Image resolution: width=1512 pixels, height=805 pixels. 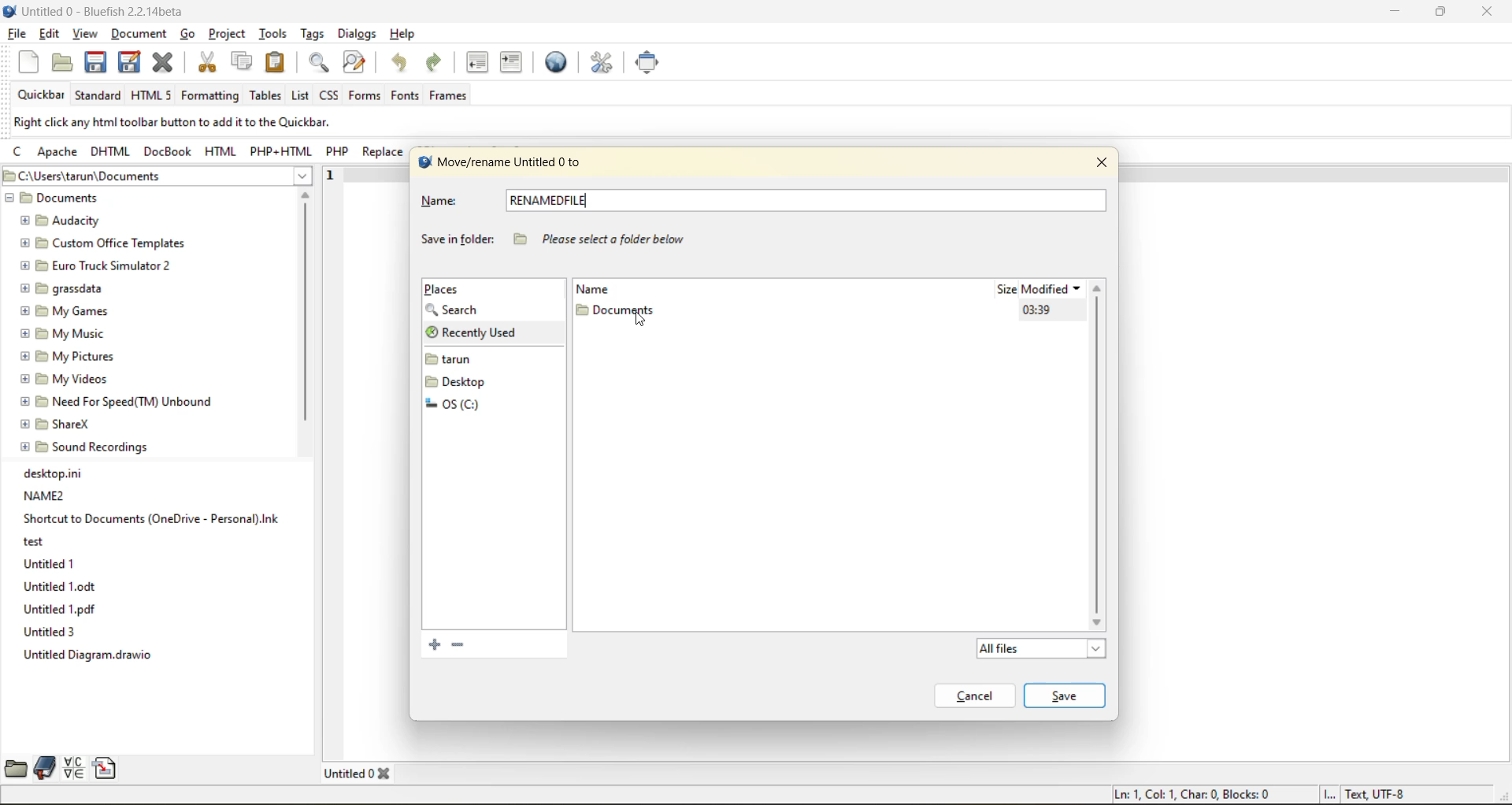 What do you see at coordinates (599, 235) in the screenshot?
I see `“Please select a folder below` at bounding box center [599, 235].